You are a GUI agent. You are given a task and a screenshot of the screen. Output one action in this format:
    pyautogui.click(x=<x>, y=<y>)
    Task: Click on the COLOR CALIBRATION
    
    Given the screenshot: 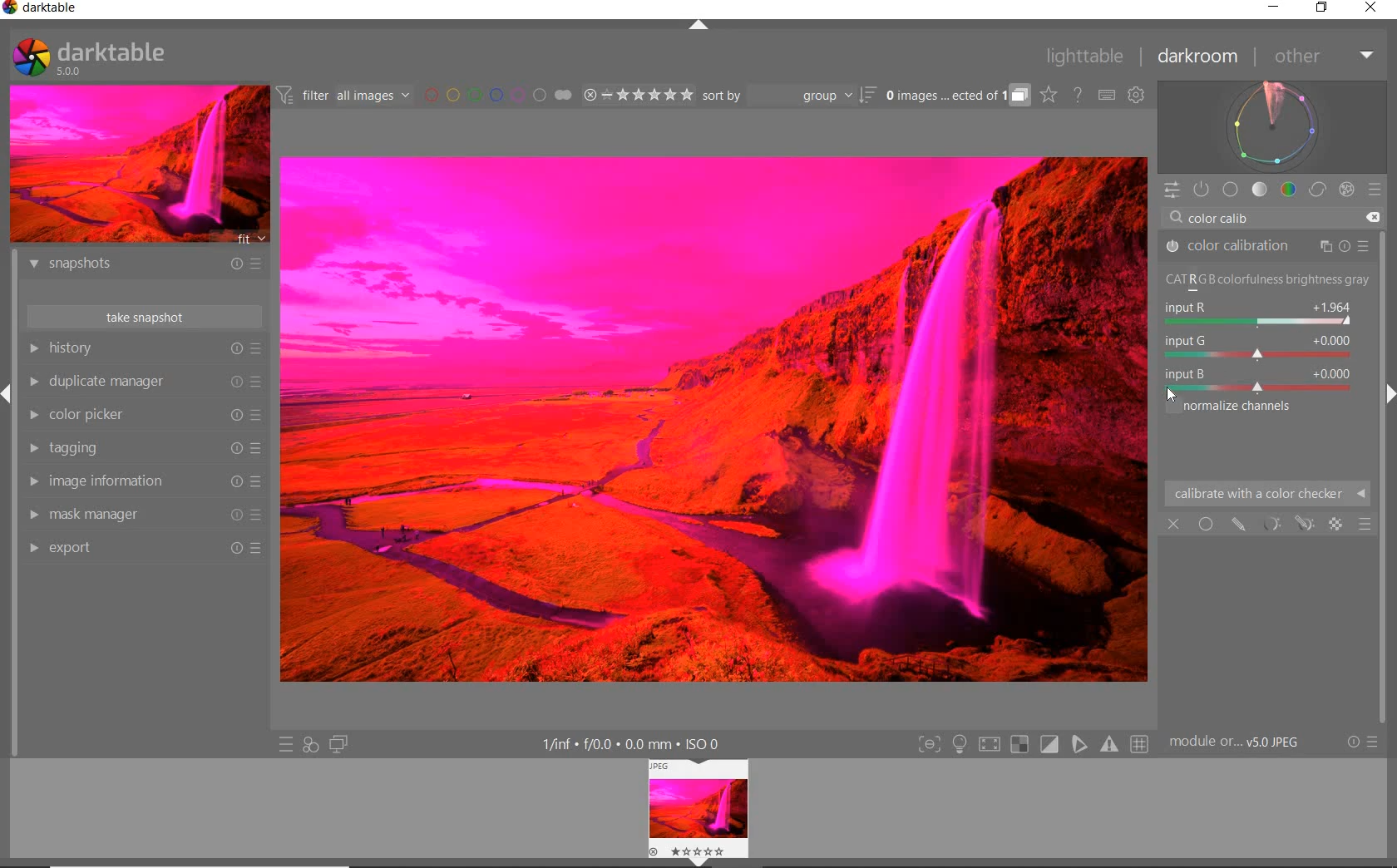 What is the action you would take?
    pyautogui.click(x=1266, y=246)
    